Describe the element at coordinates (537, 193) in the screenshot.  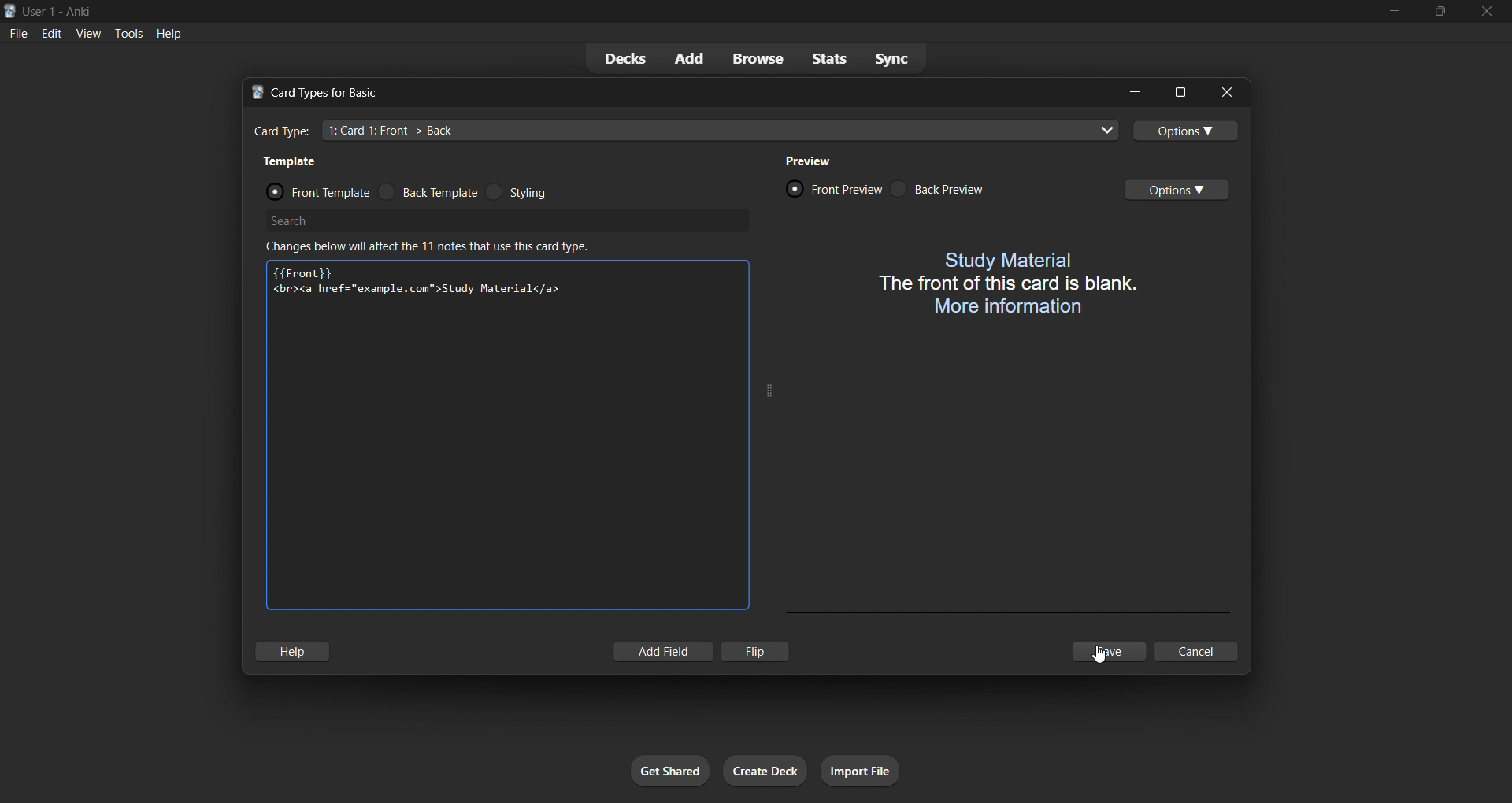
I see `styling` at that location.